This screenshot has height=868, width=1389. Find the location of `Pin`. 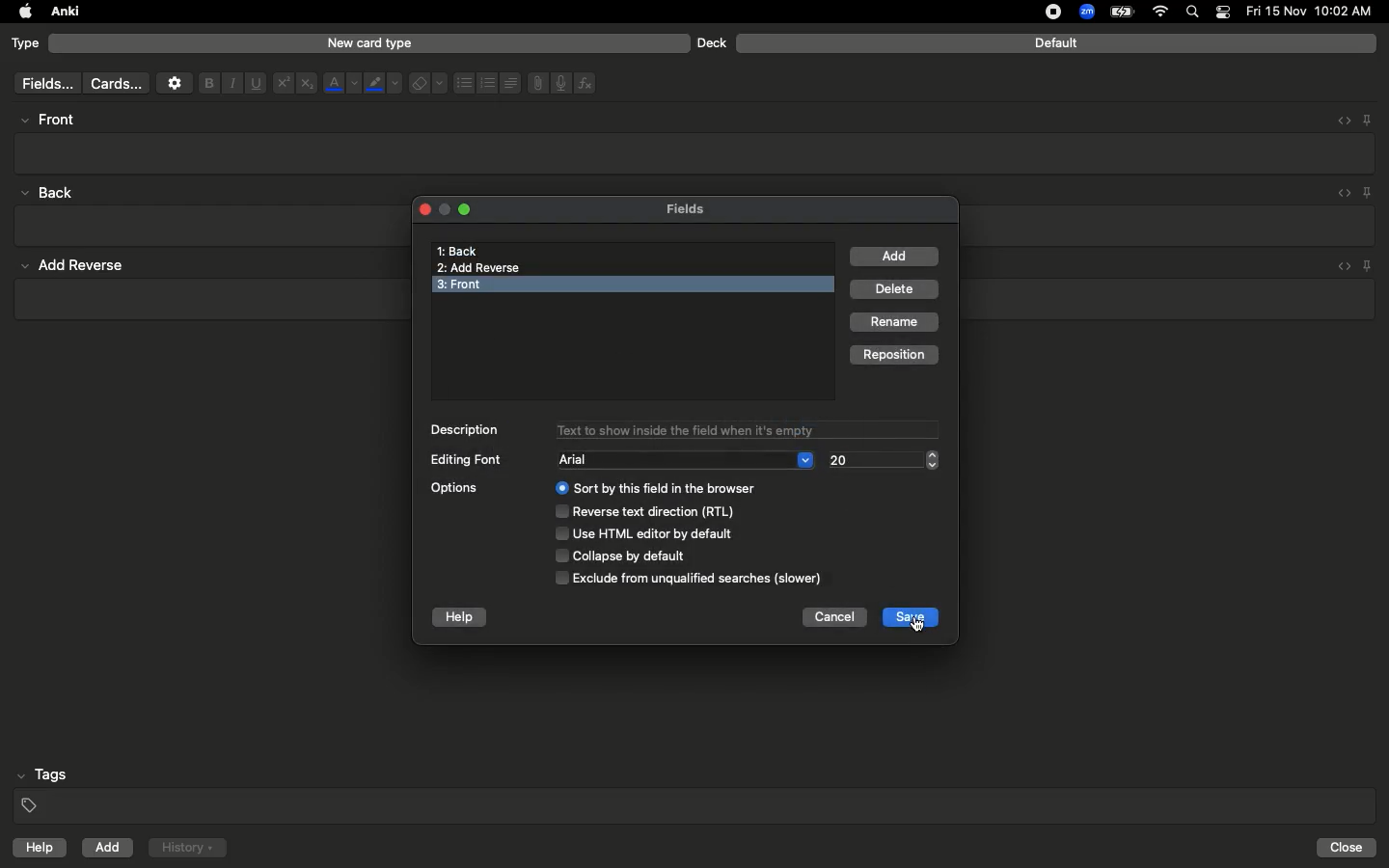

Pin is located at coordinates (1367, 119).